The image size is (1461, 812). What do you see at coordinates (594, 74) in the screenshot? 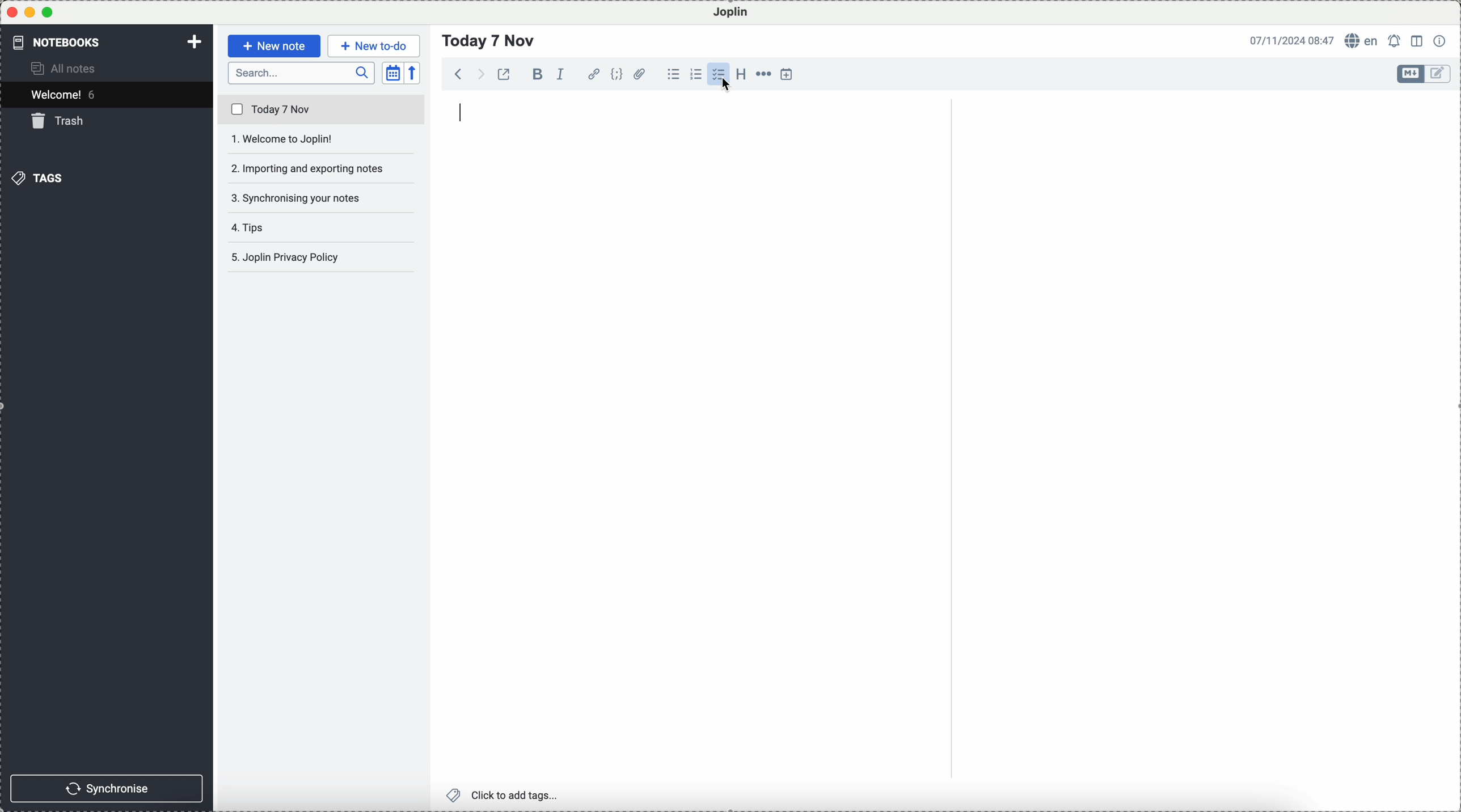
I see `hyperlink` at bounding box center [594, 74].